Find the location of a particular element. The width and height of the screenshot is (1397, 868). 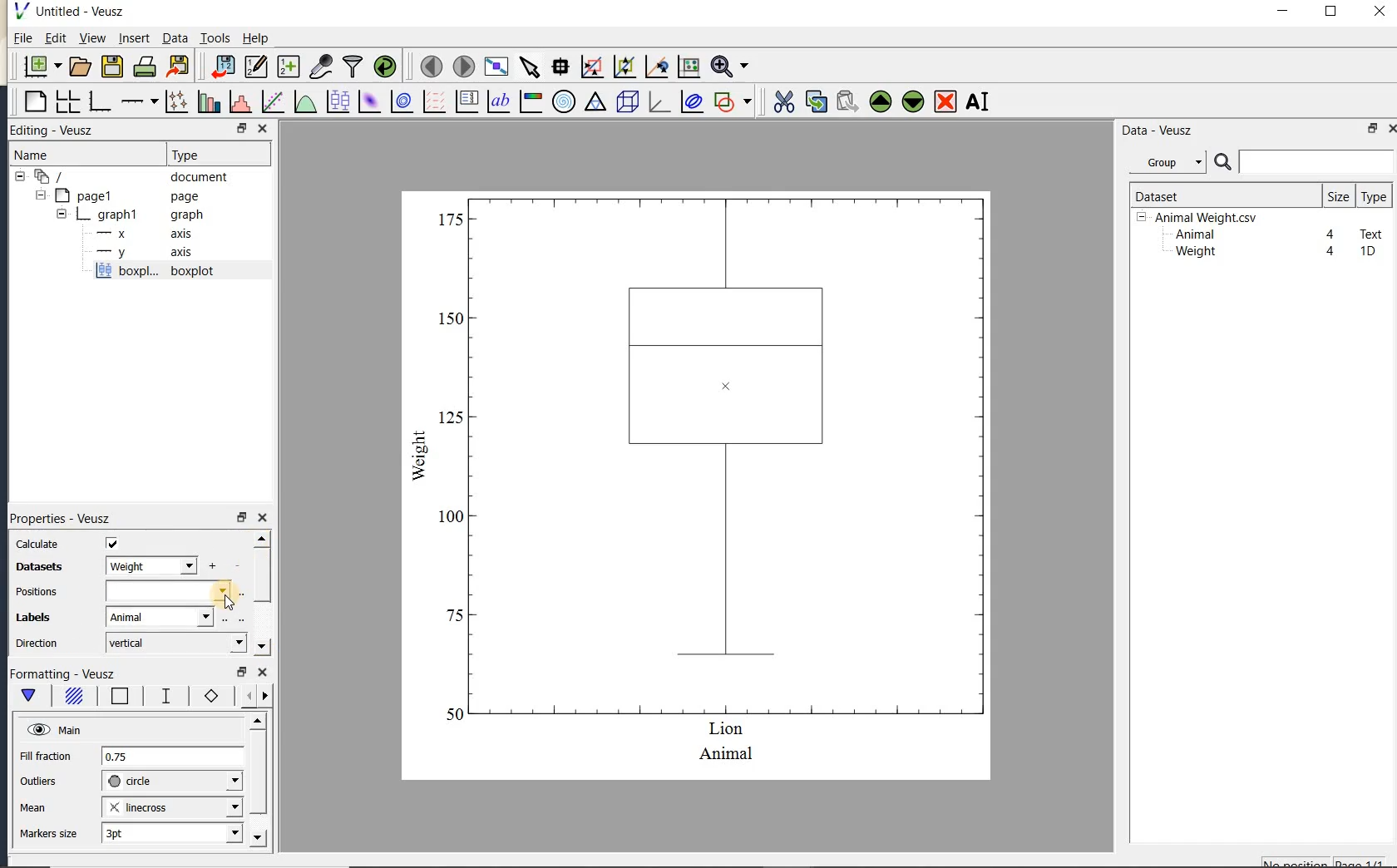

scrollbar is located at coordinates (257, 781).